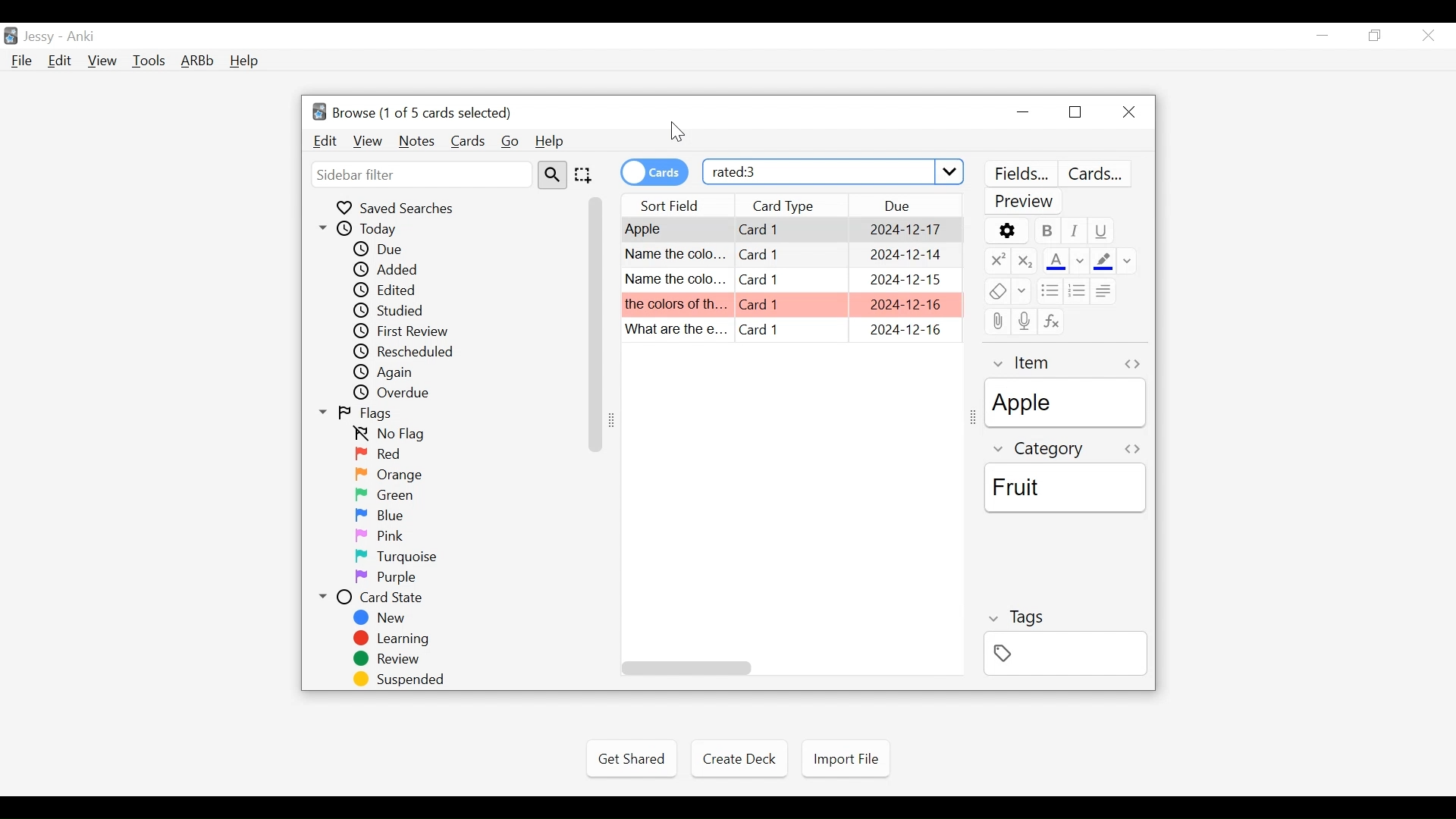 This screenshot has width=1456, height=819. I want to click on minimize, so click(1025, 113).